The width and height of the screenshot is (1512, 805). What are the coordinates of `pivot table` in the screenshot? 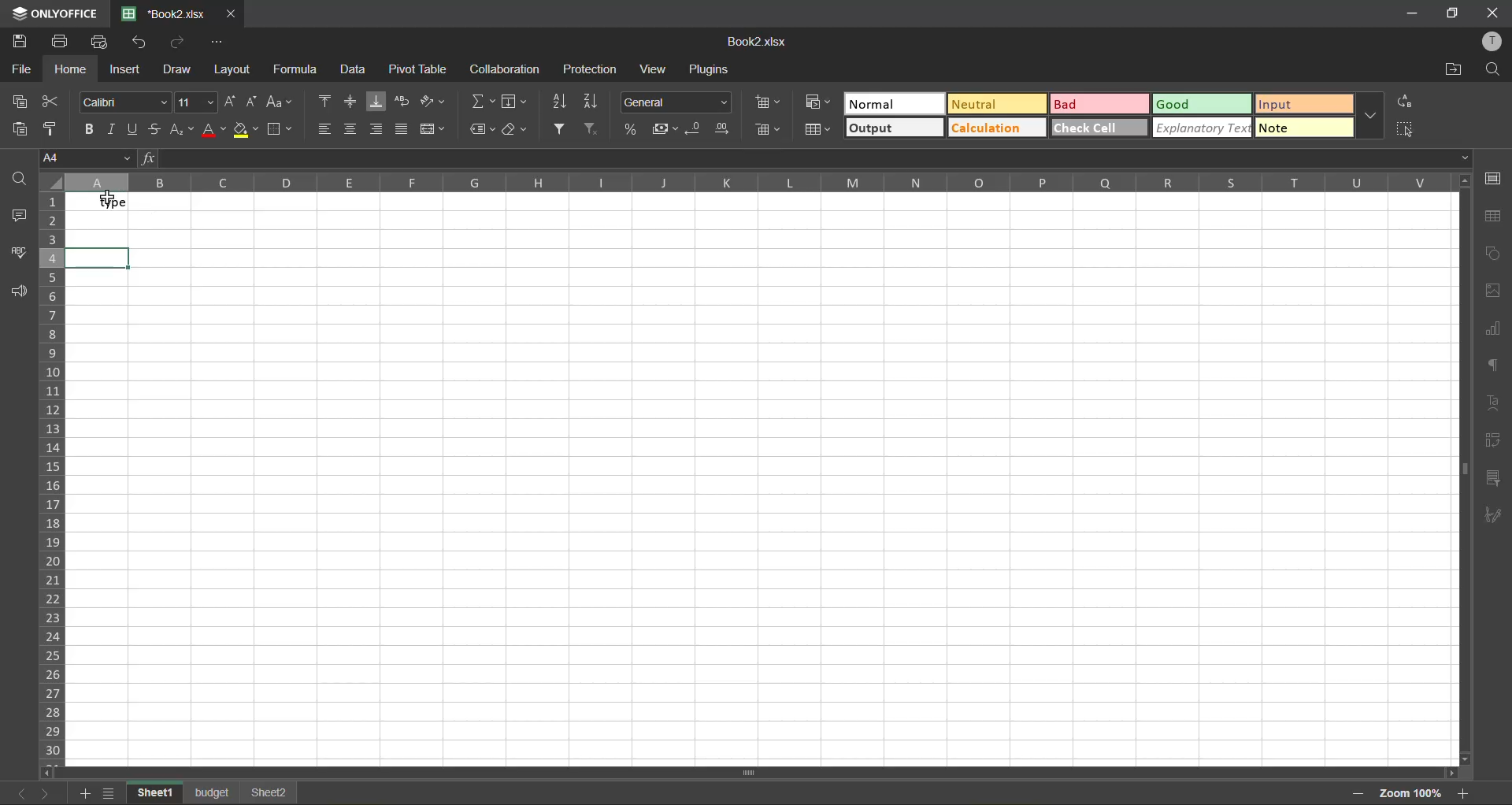 It's located at (1495, 444).